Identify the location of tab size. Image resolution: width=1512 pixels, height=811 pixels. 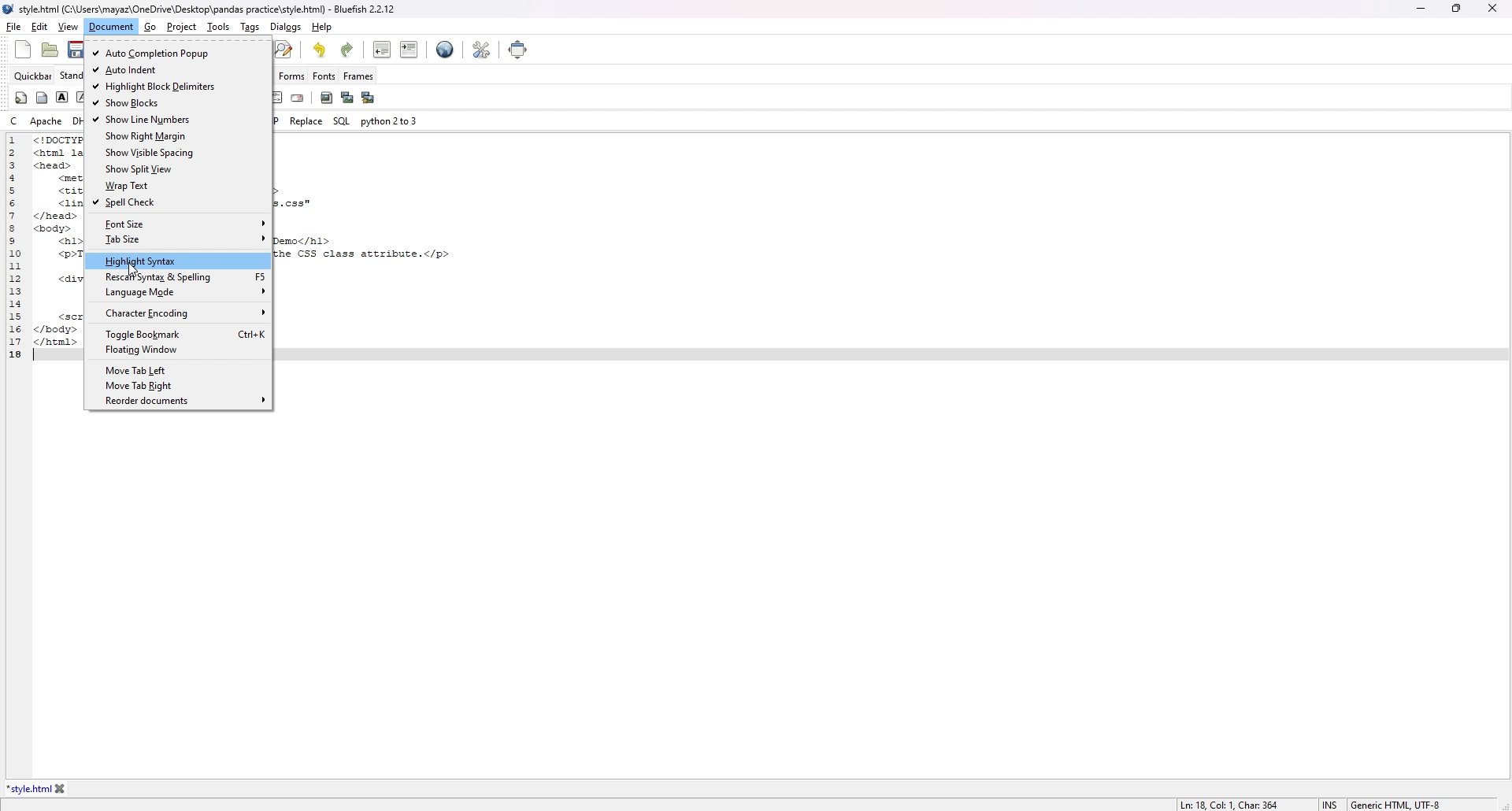
(179, 239).